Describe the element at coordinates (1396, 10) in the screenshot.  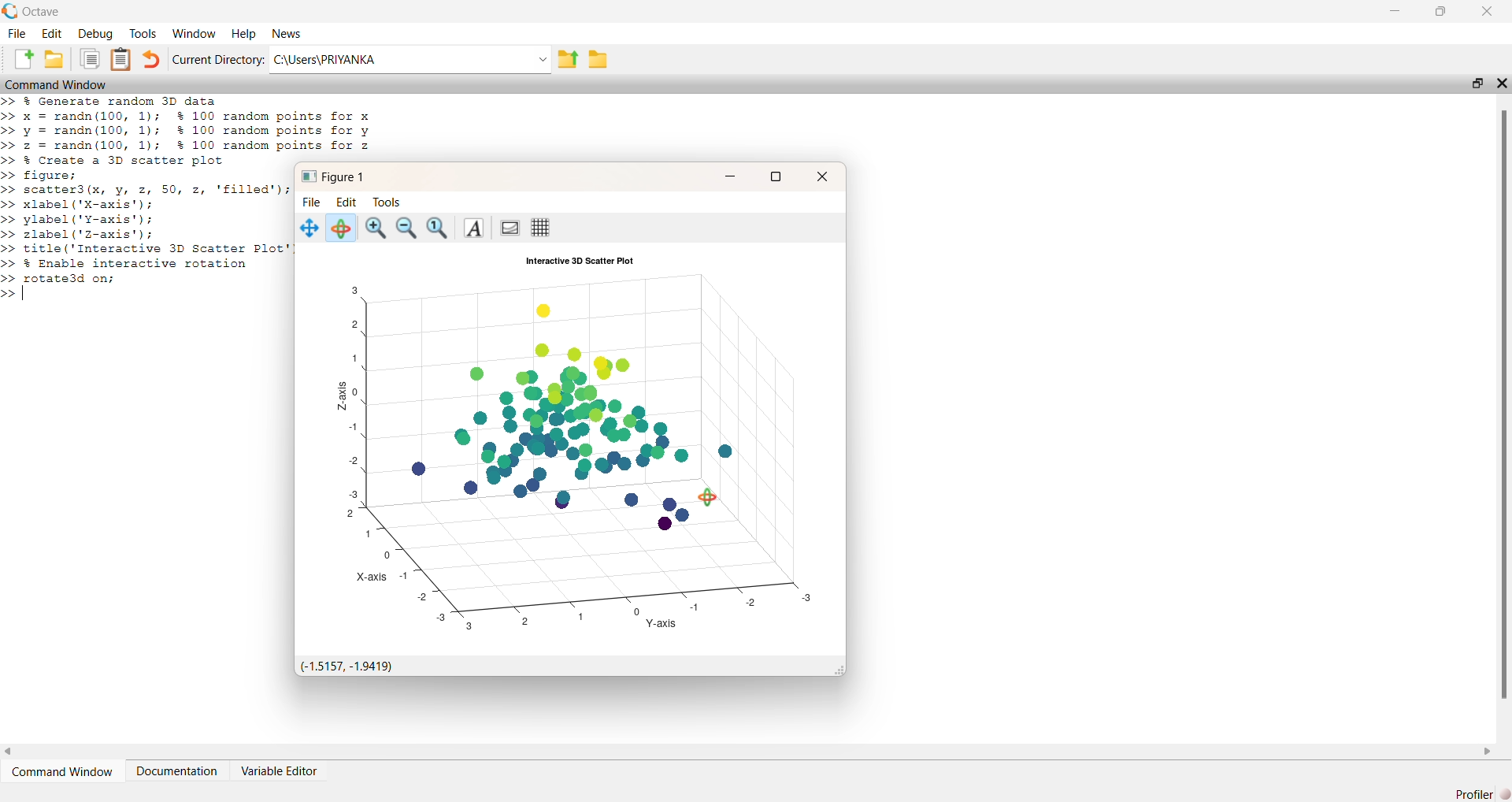
I see `minimize` at that location.